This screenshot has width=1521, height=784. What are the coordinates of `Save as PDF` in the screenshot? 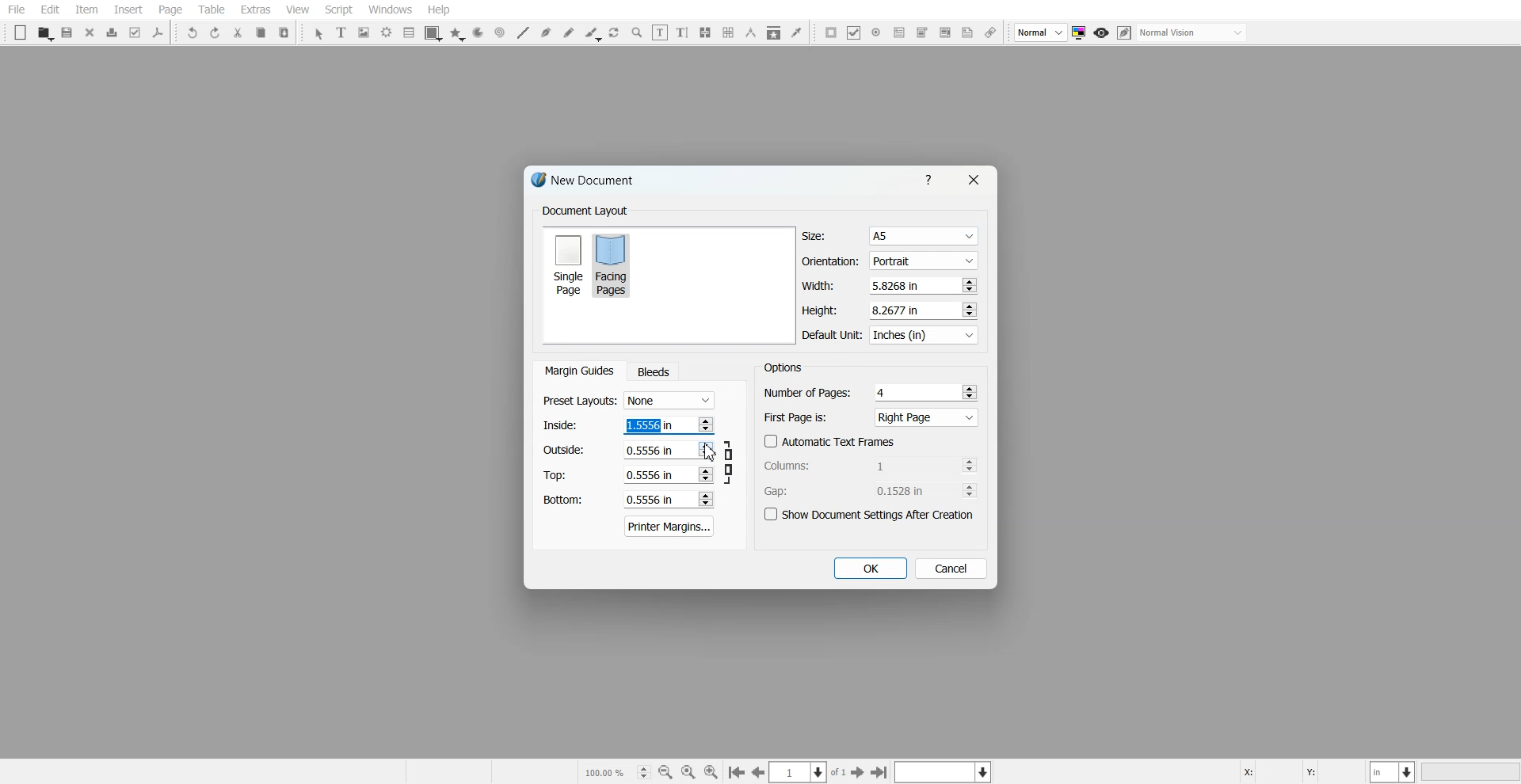 It's located at (158, 32).